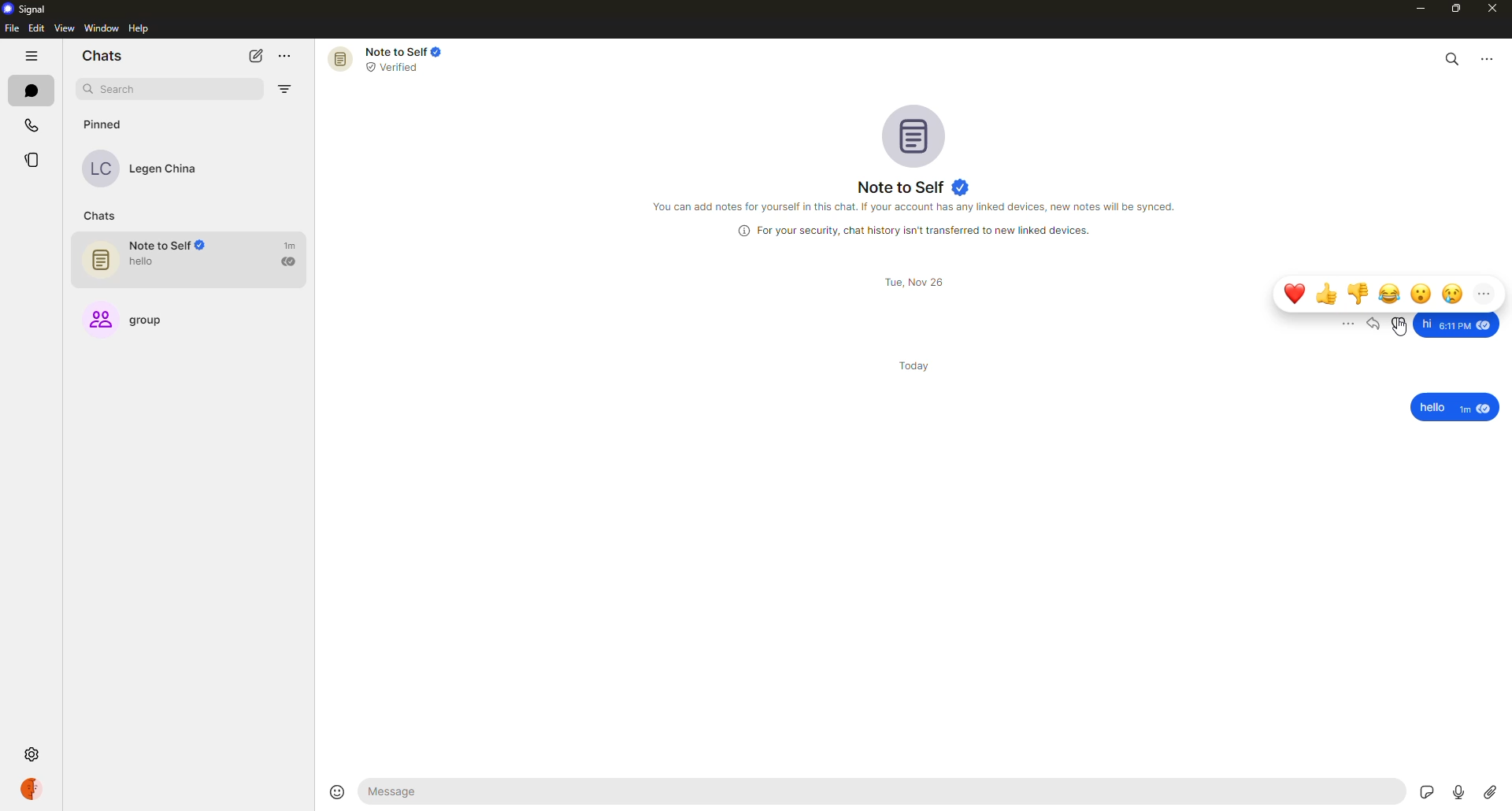 This screenshot has width=1512, height=811. What do you see at coordinates (1490, 791) in the screenshot?
I see `attach` at bounding box center [1490, 791].